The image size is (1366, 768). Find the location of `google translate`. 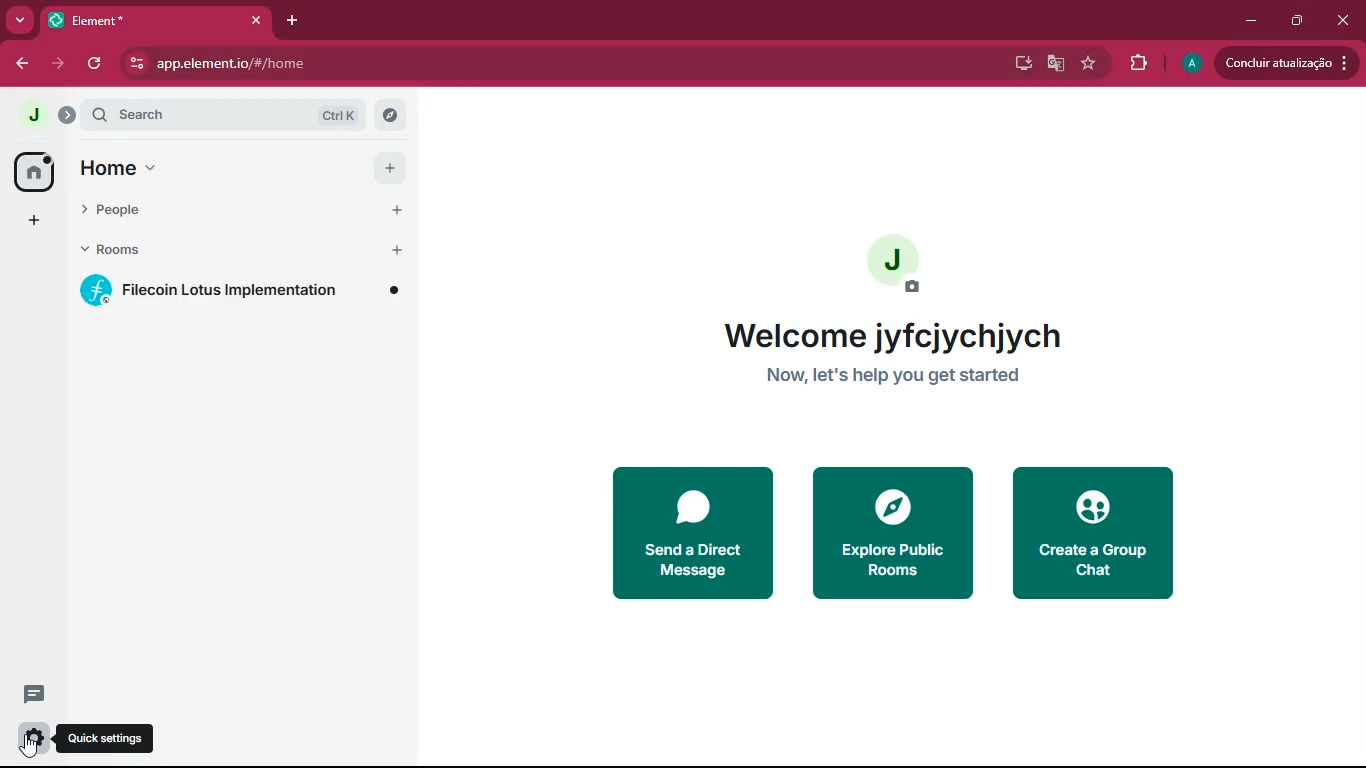

google translate is located at coordinates (1056, 64).